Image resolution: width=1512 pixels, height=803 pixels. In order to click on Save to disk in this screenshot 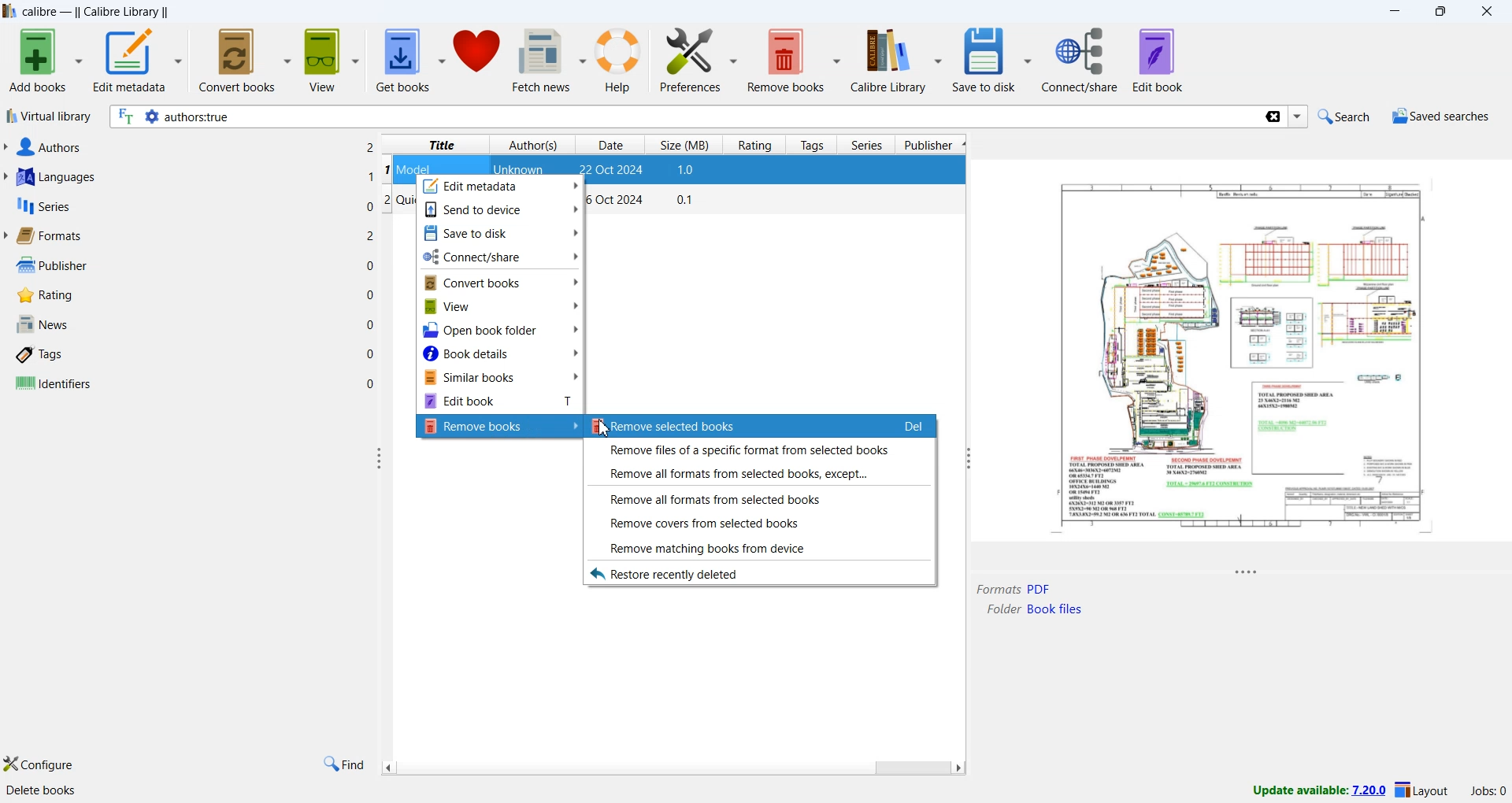, I will do `click(502, 232)`.